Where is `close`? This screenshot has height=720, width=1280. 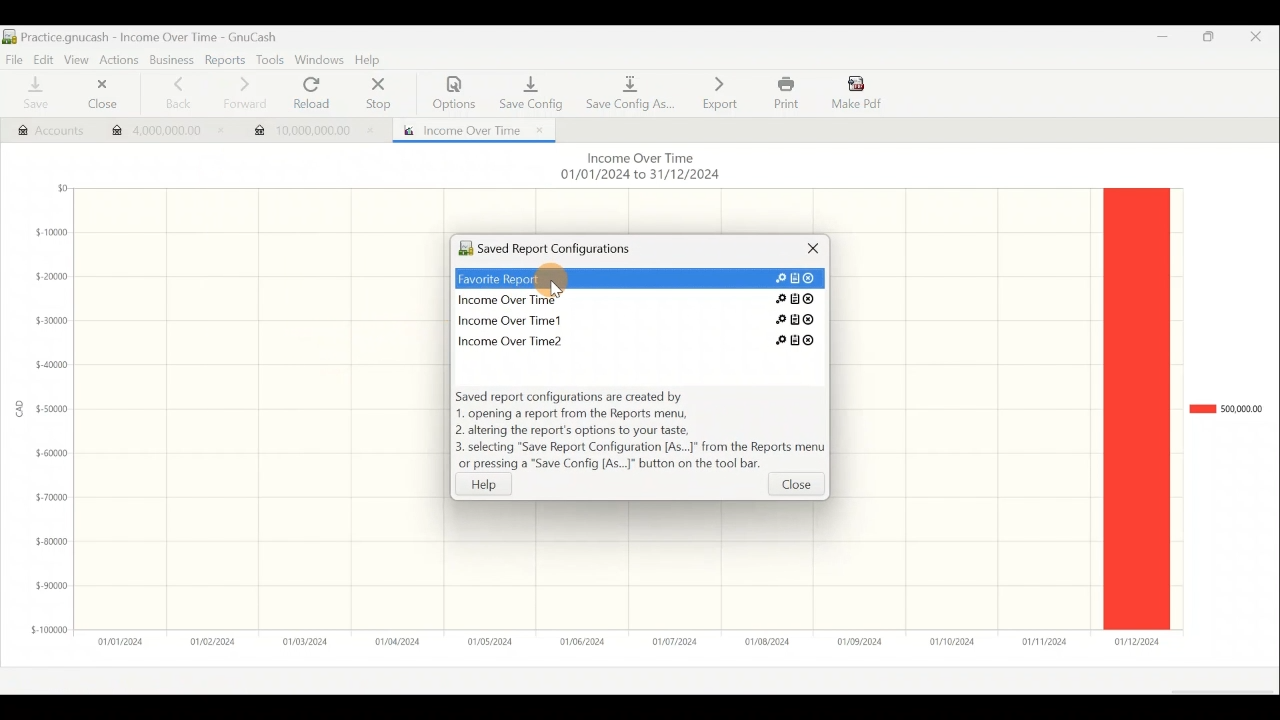
close is located at coordinates (795, 487).